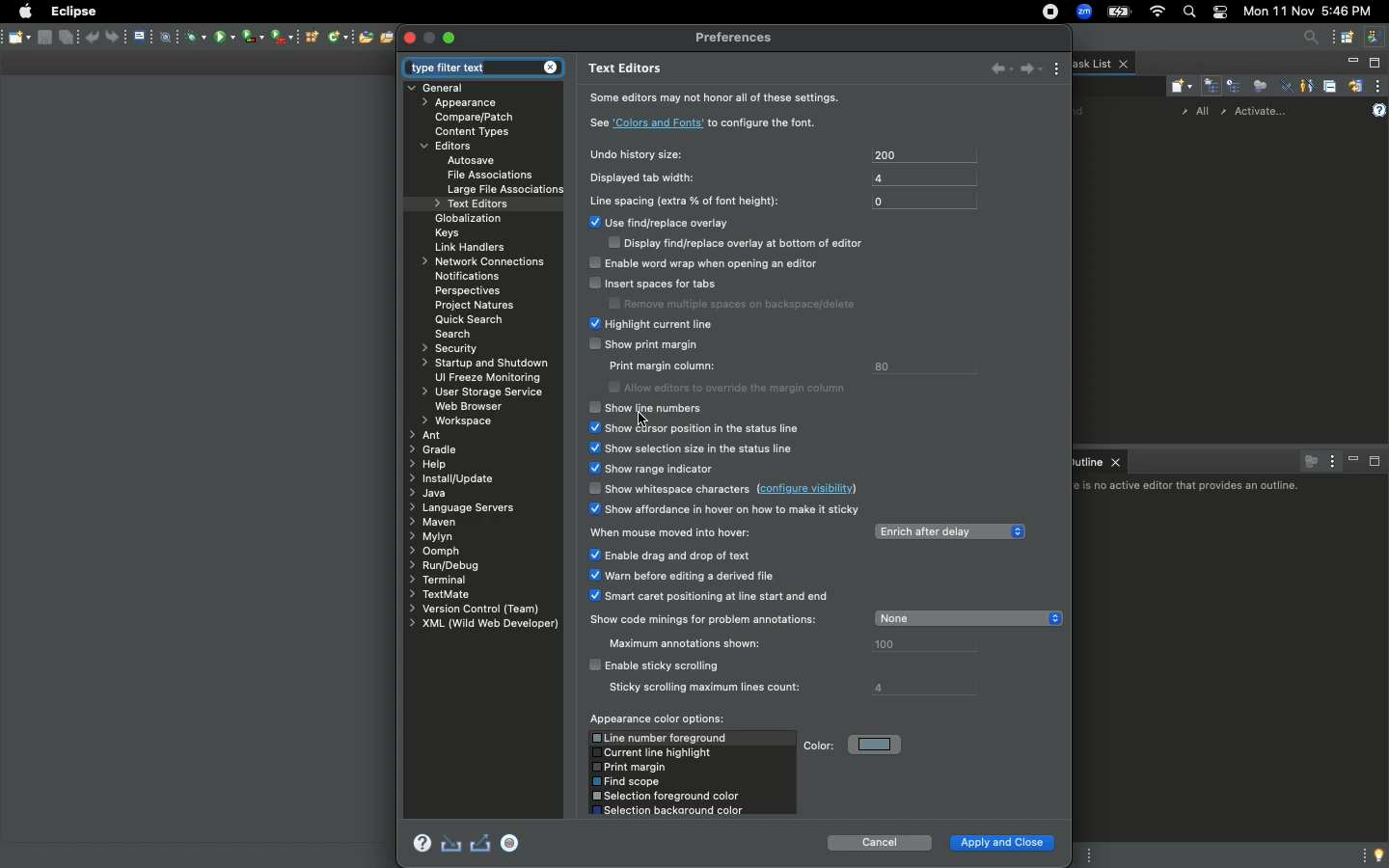  What do you see at coordinates (648, 409) in the screenshot?
I see `Show line numbers` at bounding box center [648, 409].